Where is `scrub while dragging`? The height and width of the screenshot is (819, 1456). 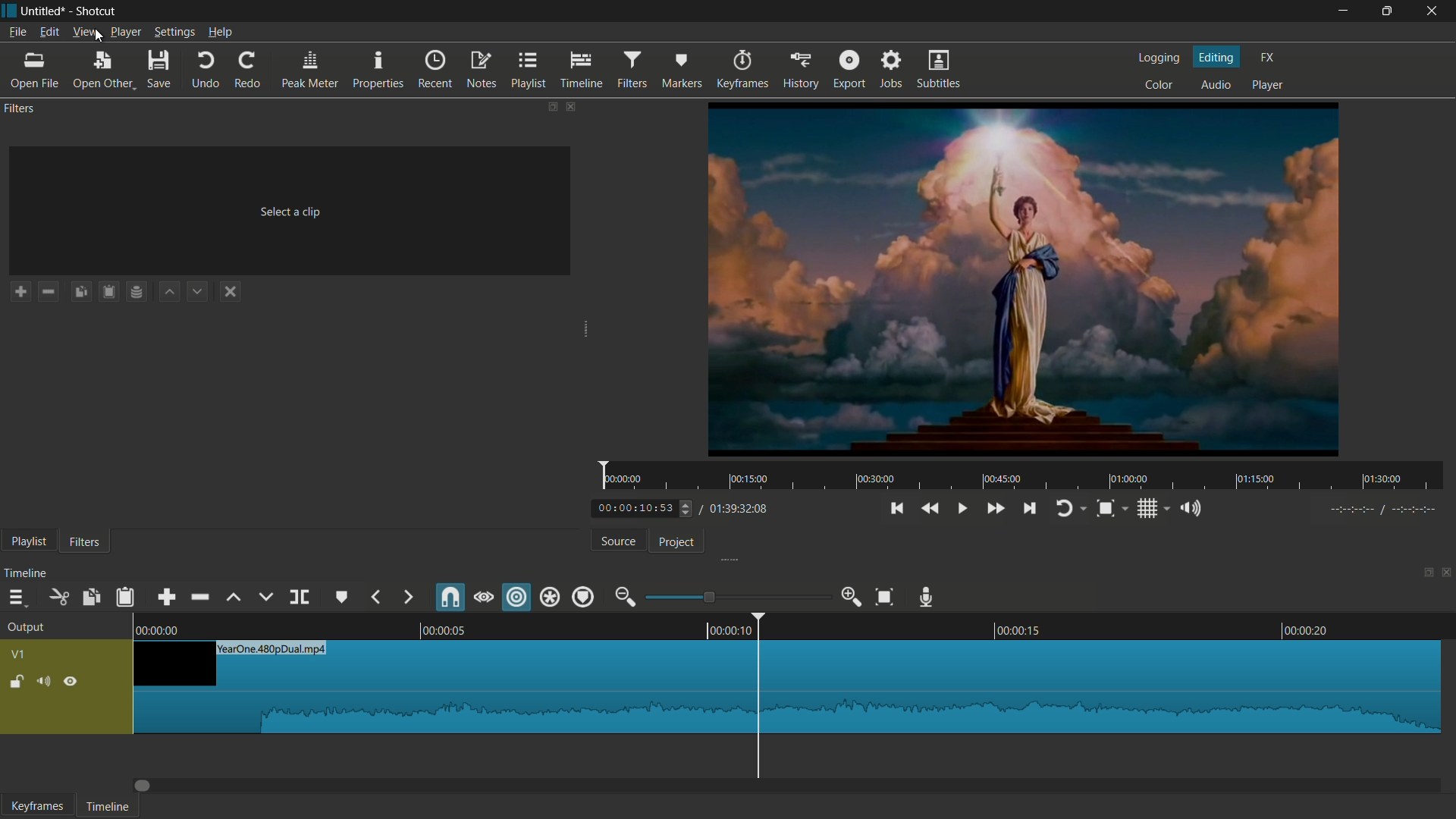
scrub while dragging is located at coordinates (483, 598).